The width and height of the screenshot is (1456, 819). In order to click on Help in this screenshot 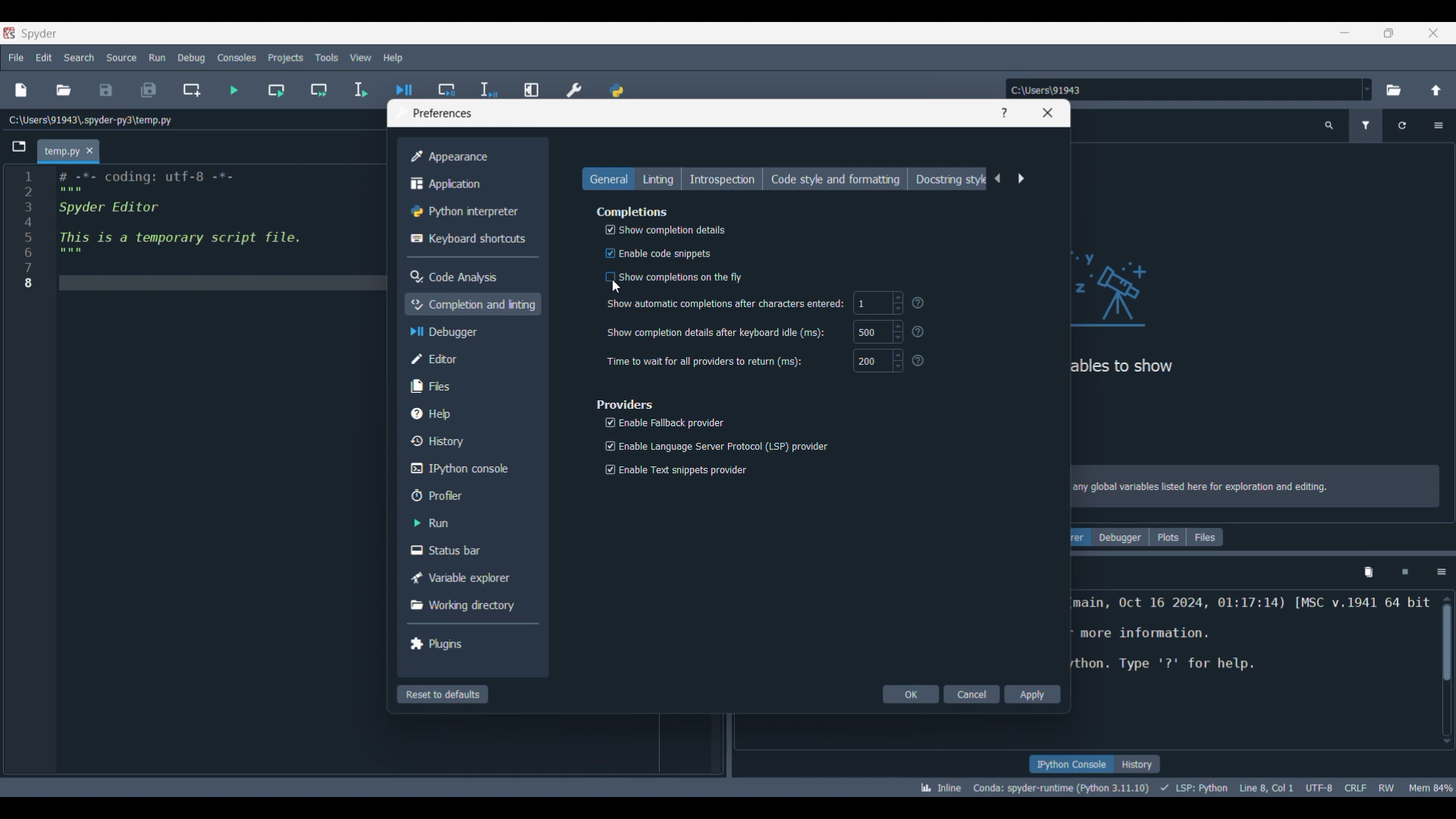, I will do `click(470, 413)`.